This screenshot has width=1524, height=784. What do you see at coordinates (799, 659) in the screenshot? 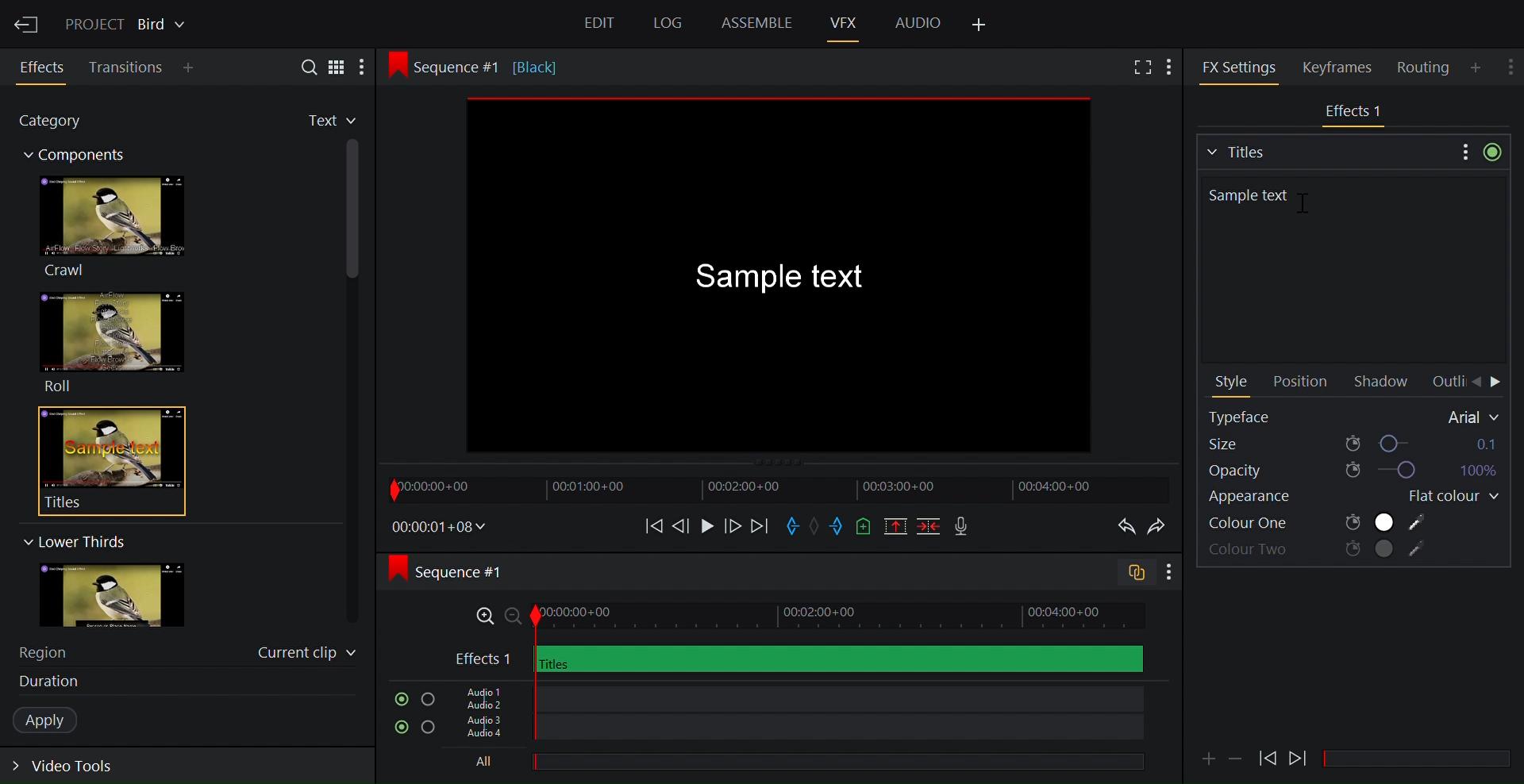
I see `Video Track Effects` at bounding box center [799, 659].